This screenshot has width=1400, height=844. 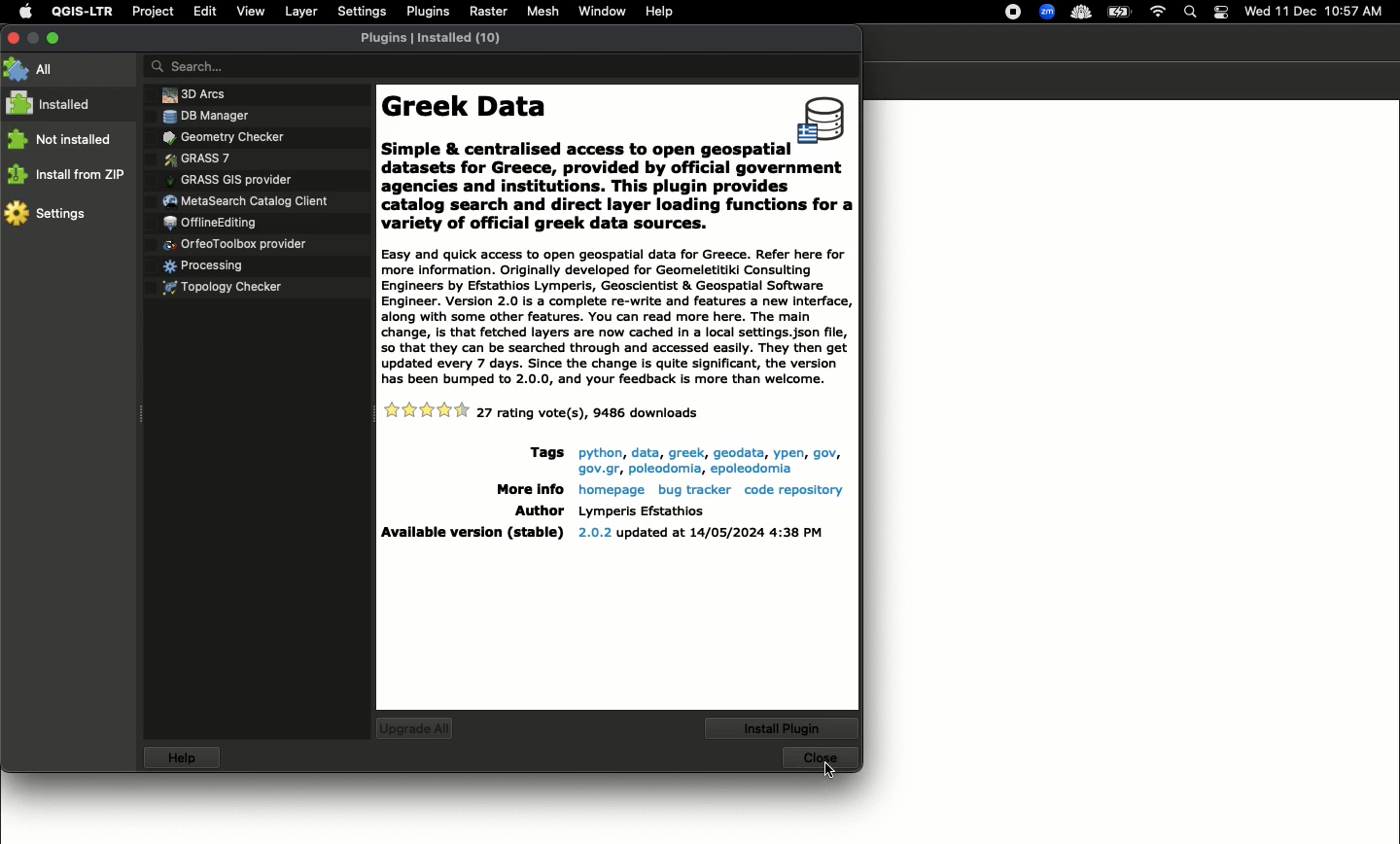 What do you see at coordinates (54, 35) in the screenshot?
I see `Maximize` at bounding box center [54, 35].